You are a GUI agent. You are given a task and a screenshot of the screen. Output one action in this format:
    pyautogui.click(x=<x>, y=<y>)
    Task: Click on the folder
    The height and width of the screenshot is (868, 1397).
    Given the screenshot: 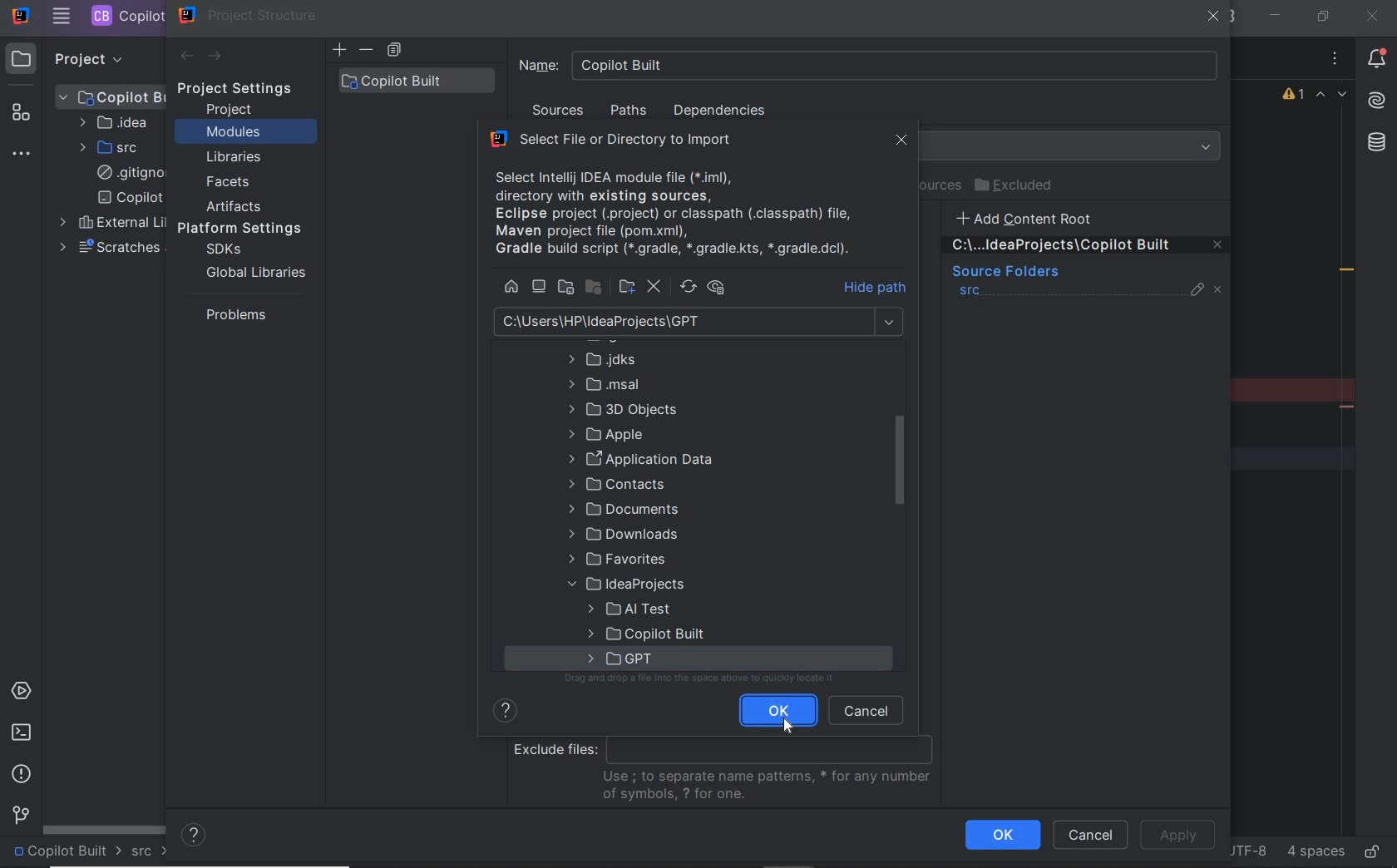 What is the action you would take?
    pyautogui.click(x=620, y=408)
    